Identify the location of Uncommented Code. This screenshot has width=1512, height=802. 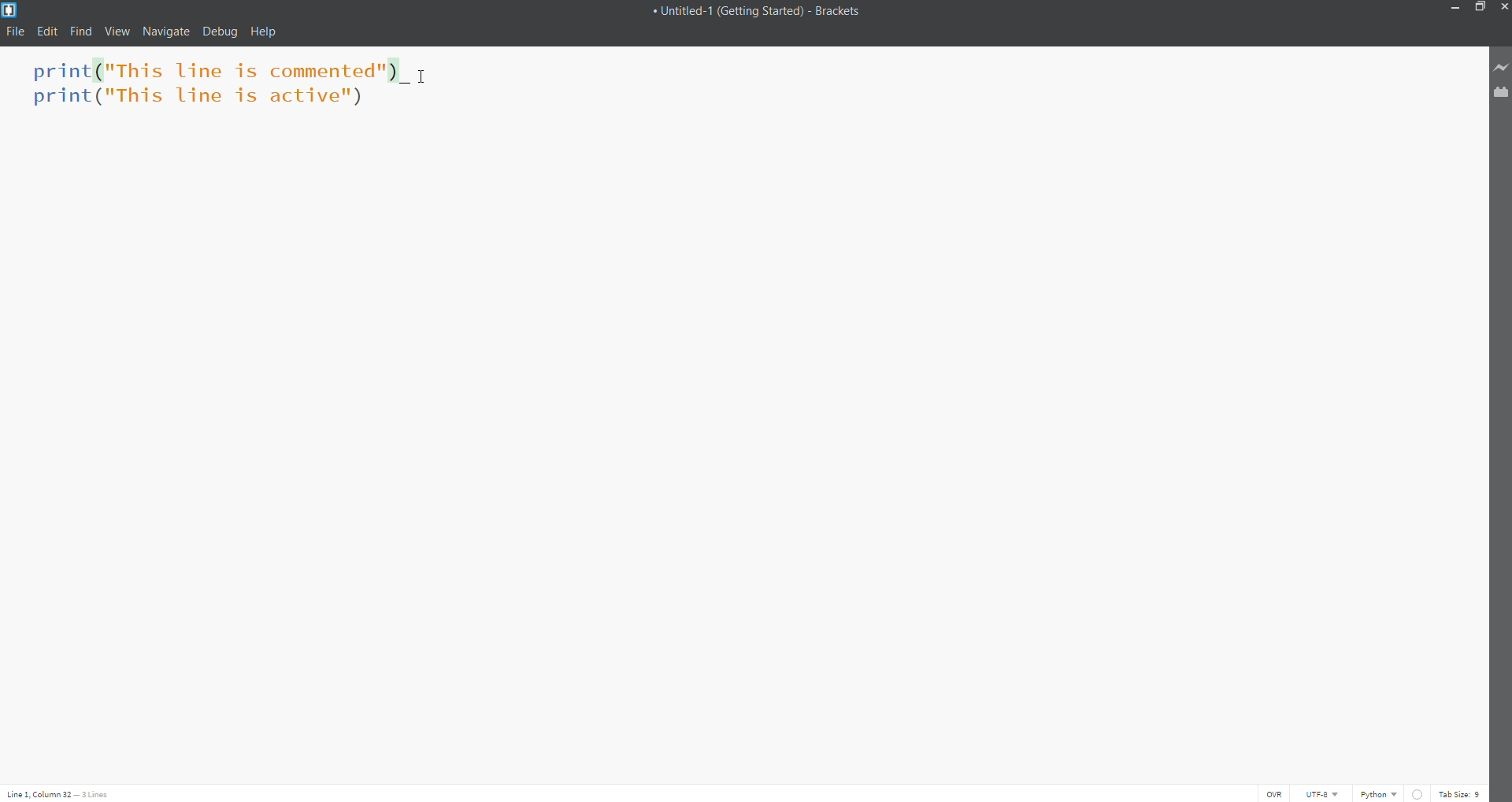
(209, 72).